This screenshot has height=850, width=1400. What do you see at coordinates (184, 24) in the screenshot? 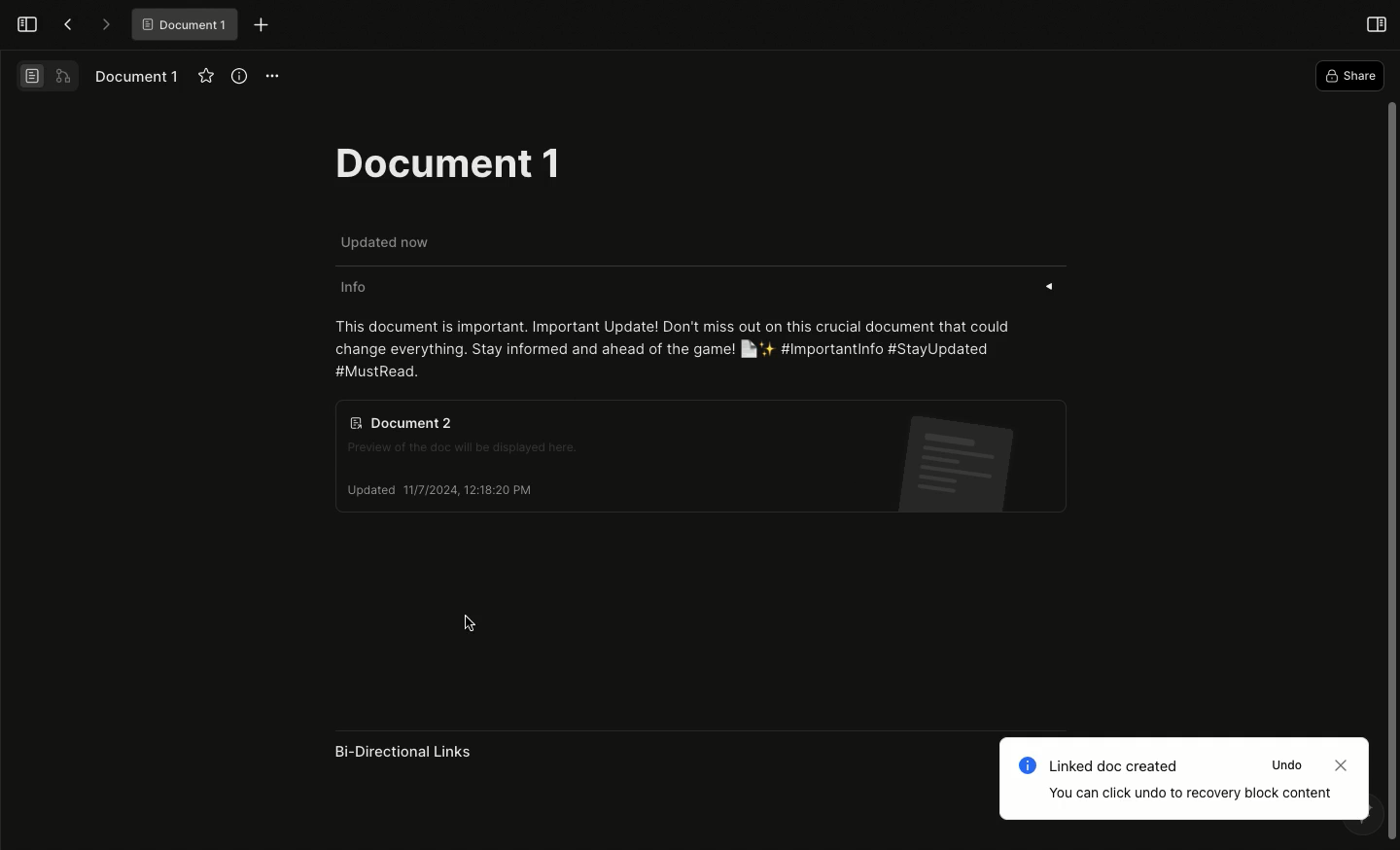
I see `® Document 1` at bounding box center [184, 24].